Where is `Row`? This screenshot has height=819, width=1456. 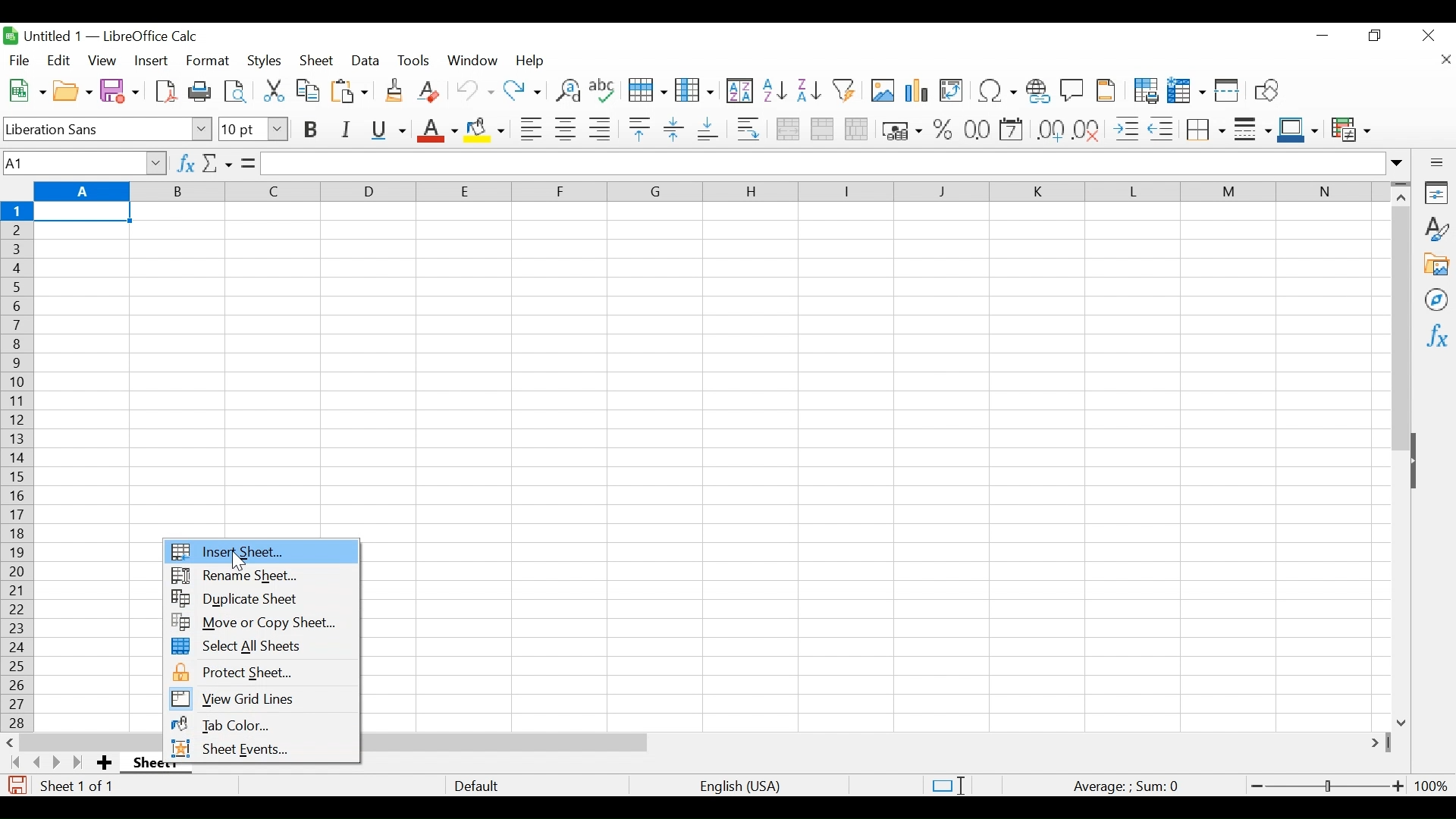 Row is located at coordinates (645, 91).